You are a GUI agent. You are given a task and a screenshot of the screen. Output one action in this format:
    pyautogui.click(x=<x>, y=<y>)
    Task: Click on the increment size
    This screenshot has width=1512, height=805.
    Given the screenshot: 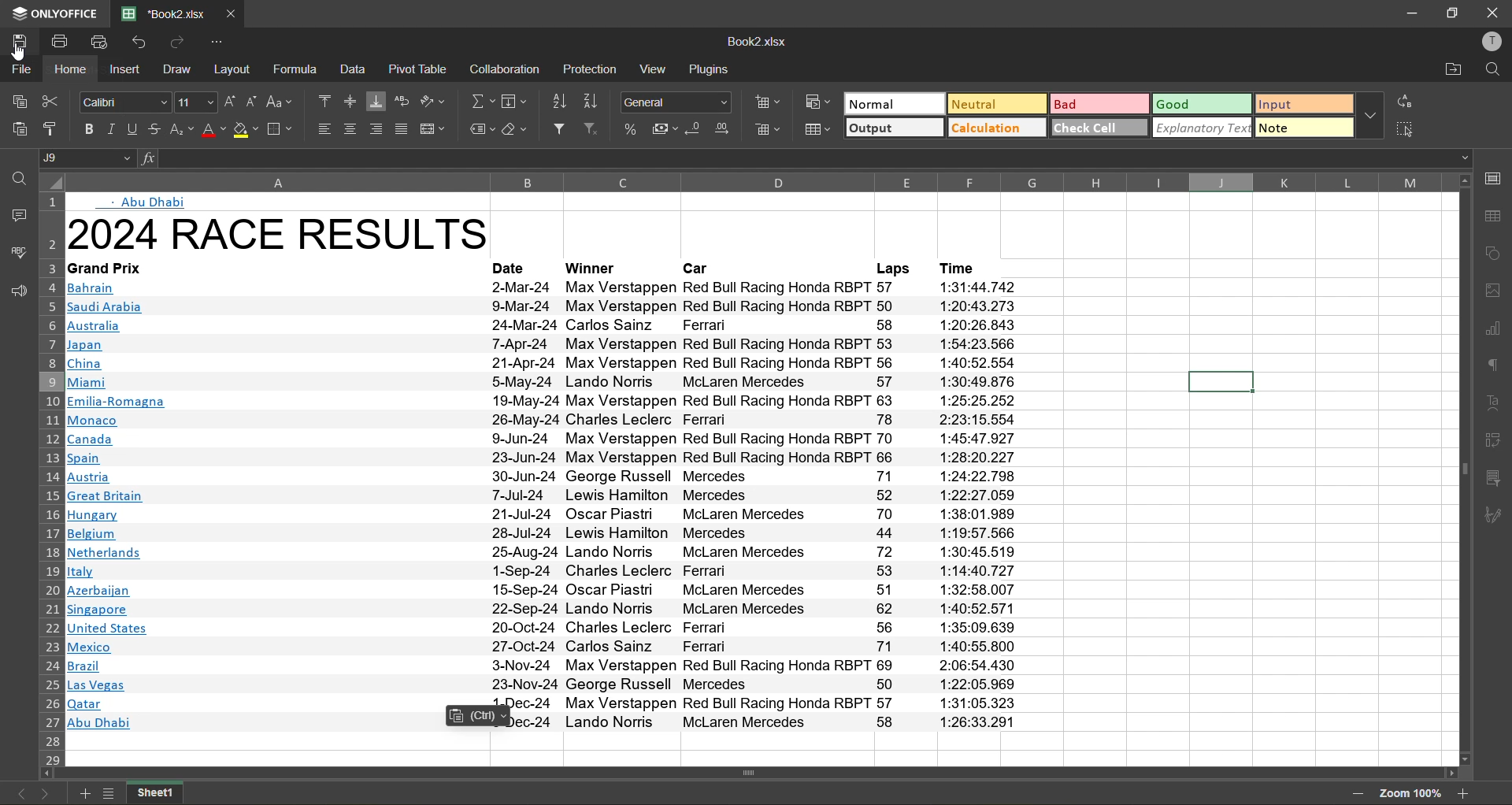 What is the action you would take?
    pyautogui.click(x=228, y=99)
    